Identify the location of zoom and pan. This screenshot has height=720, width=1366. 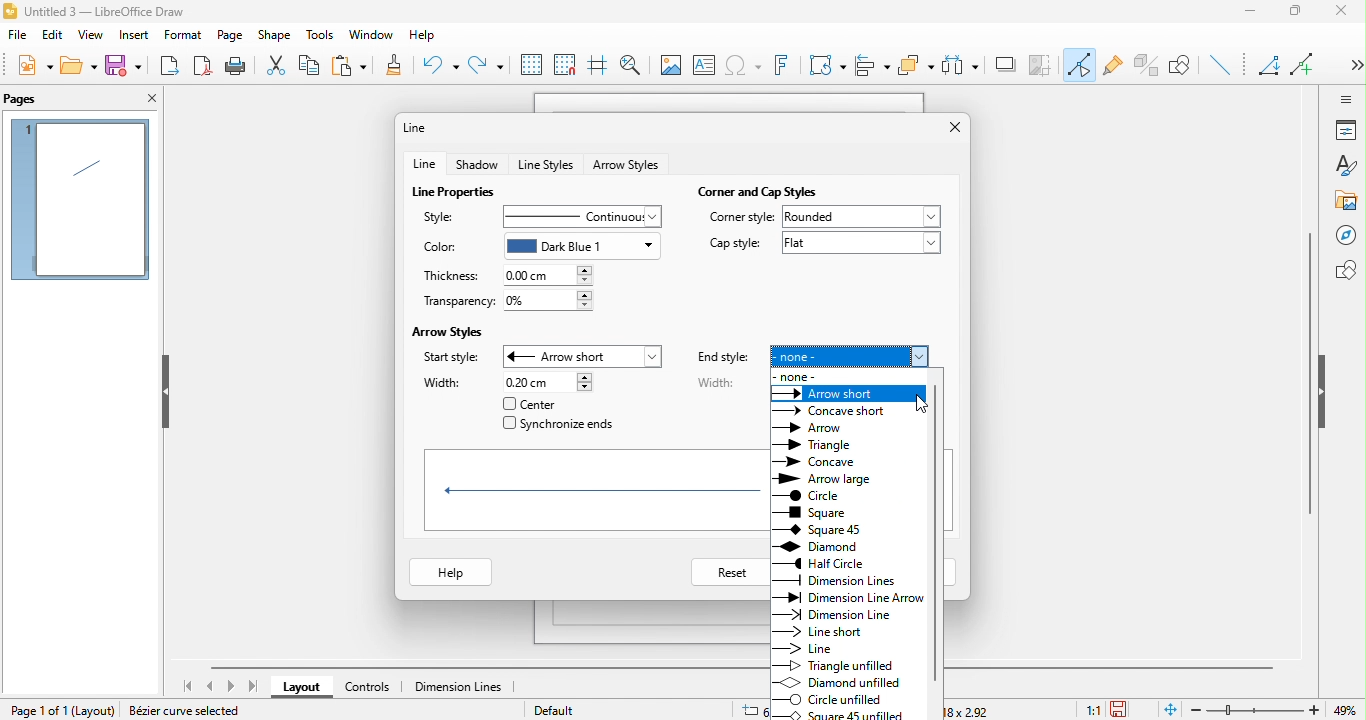
(630, 62).